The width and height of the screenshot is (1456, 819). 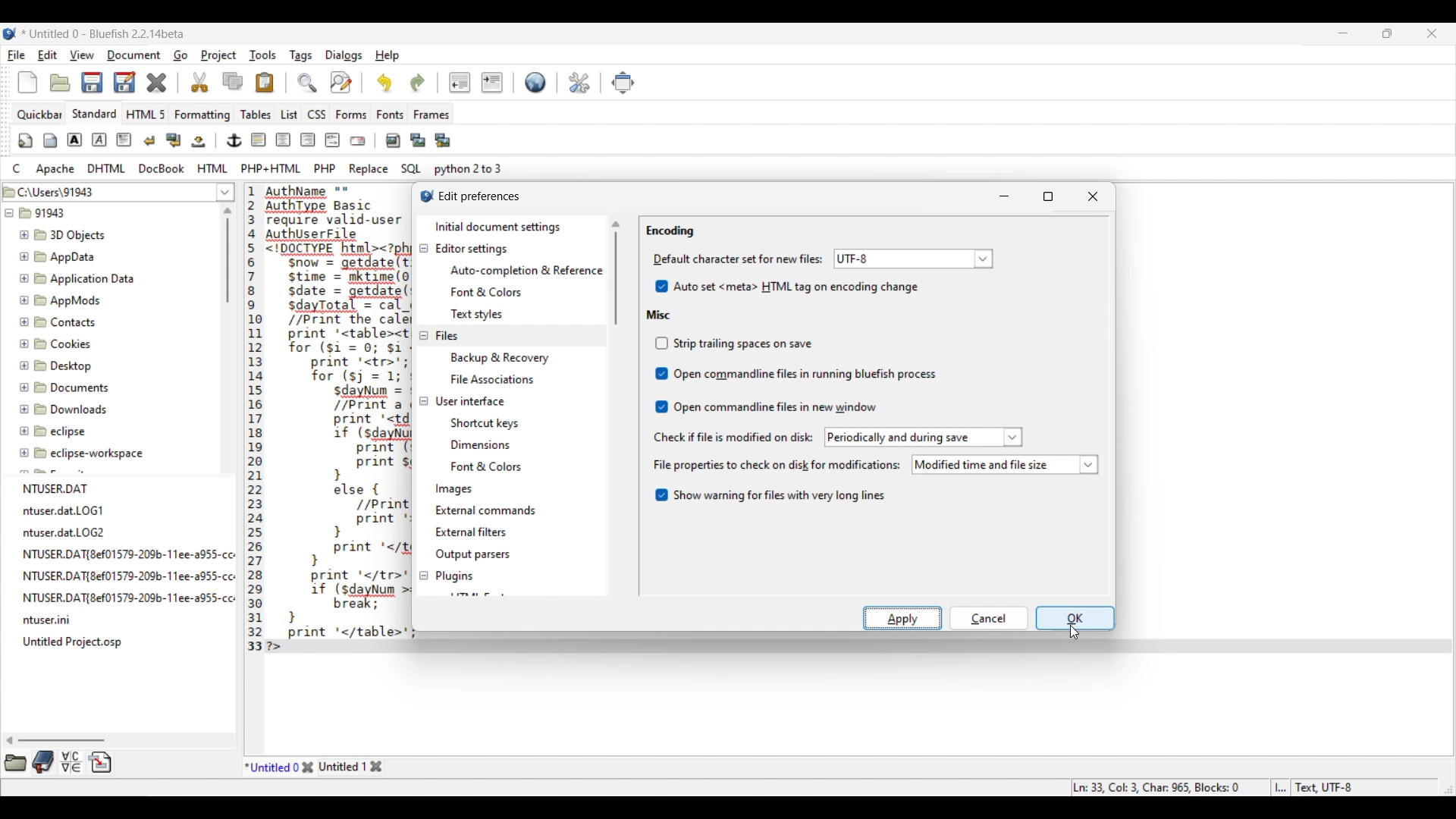 I want to click on Indicates file properties to check on disk for modification, so click(x=776, y=466).